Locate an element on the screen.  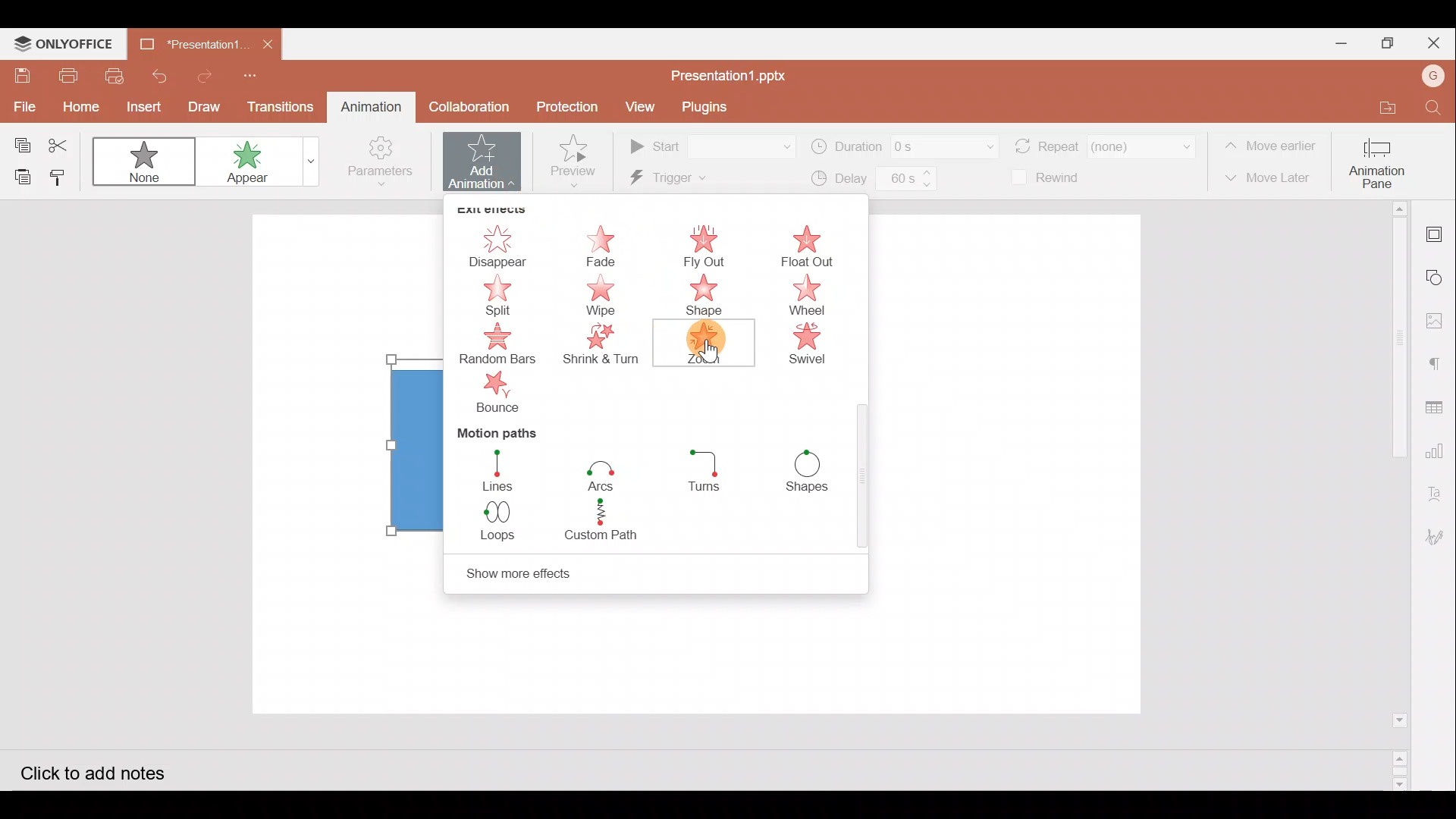
More is located at coordinates (306, 165).